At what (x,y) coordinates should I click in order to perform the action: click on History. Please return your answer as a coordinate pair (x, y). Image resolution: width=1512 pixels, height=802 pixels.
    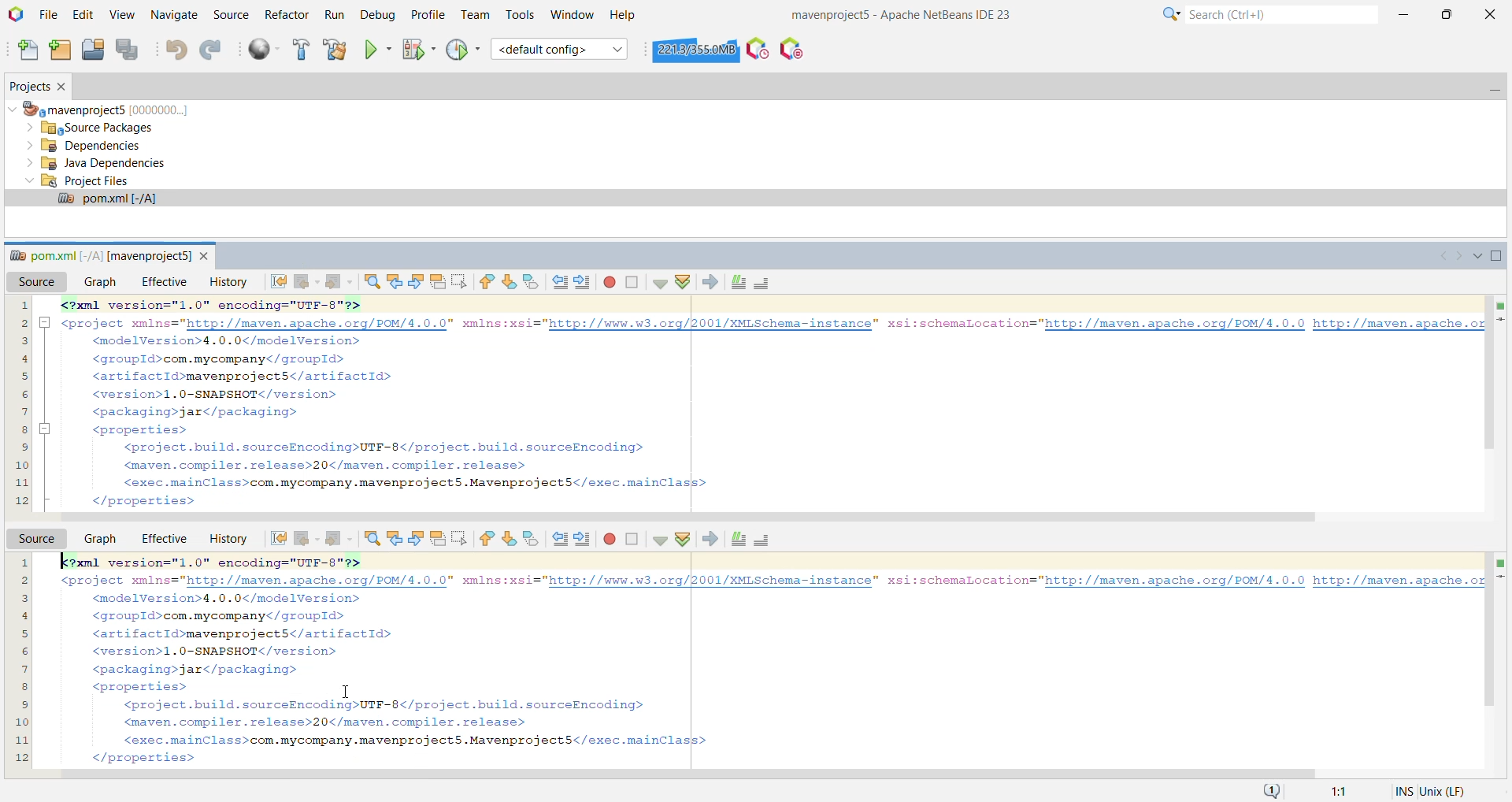
    Looking at the image, I should click on (225, 281).